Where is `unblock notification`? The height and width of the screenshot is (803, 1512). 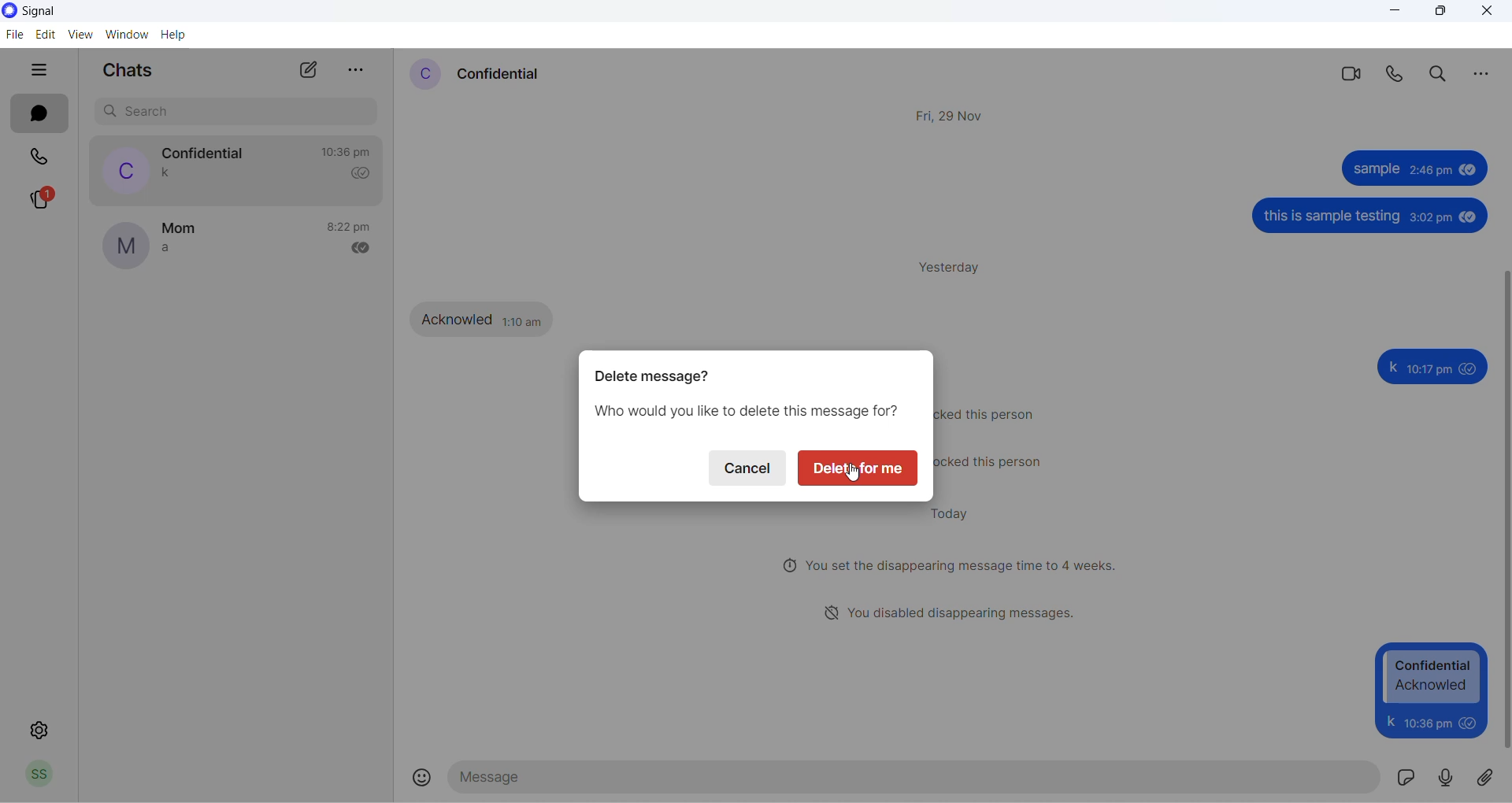 unblock notification is located at coordinates (1000, 463).